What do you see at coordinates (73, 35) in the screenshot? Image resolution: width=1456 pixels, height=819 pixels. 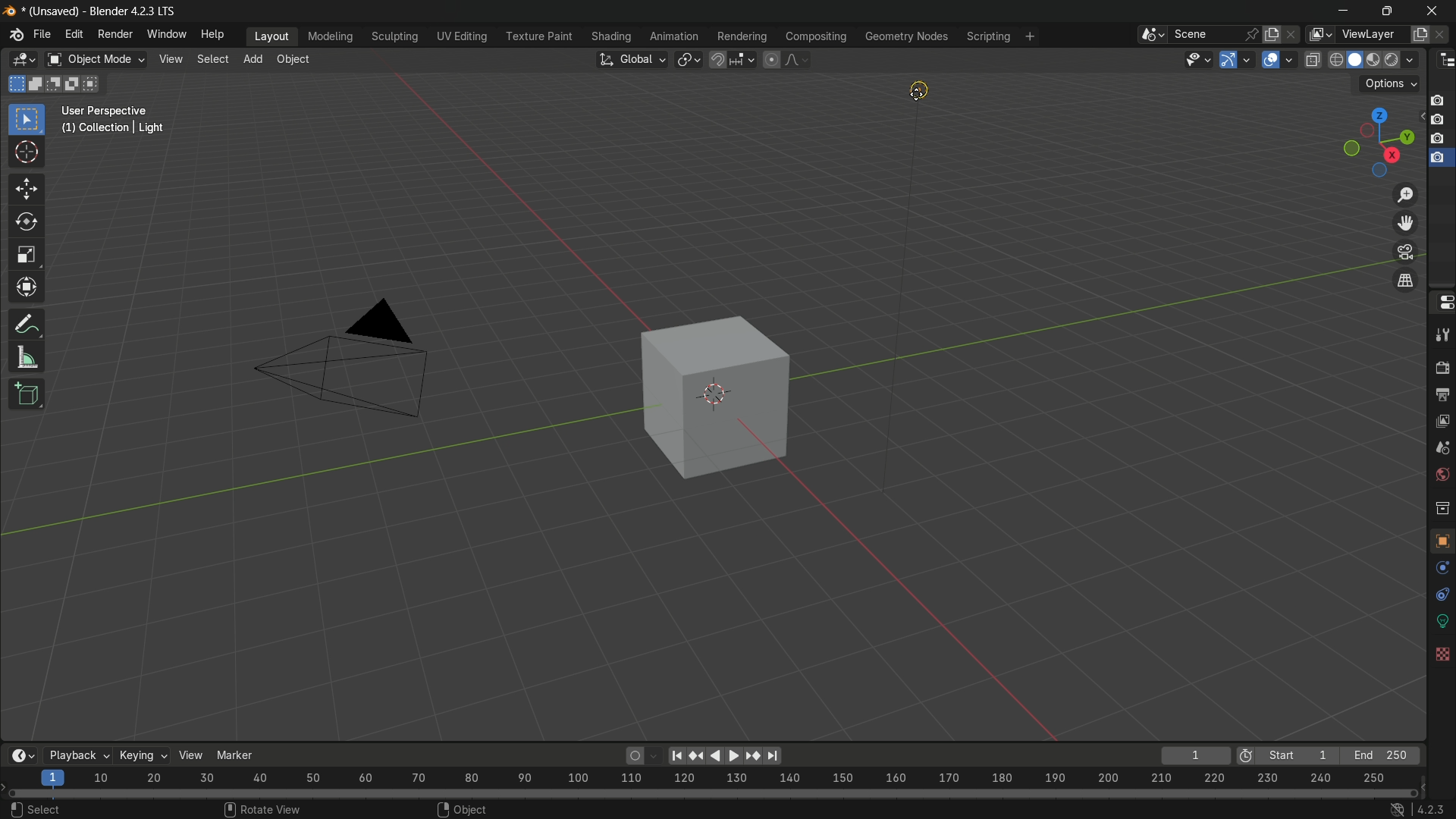 I see `edit menu` at bounding box center [73, 35].